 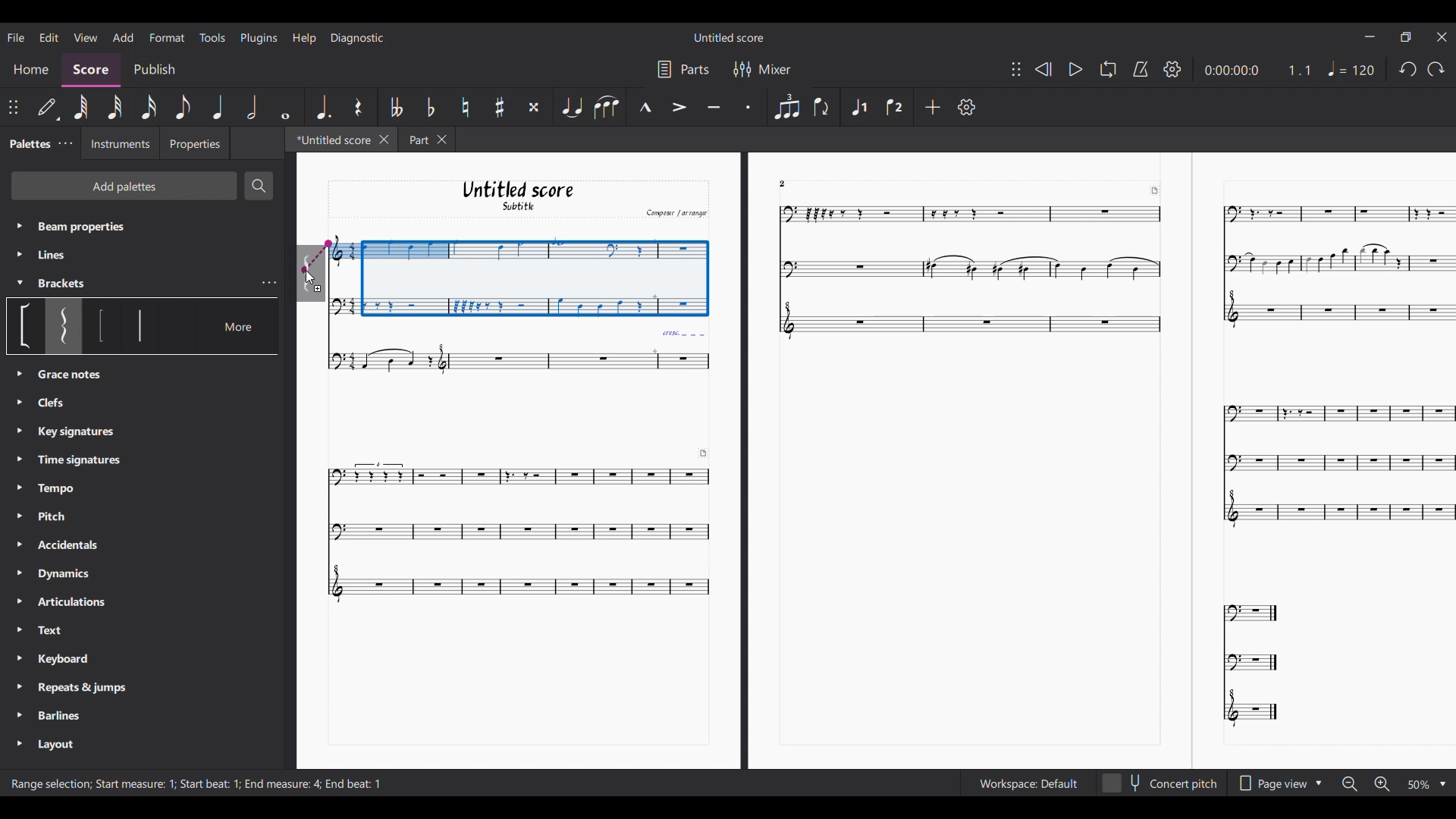 I want to click on 8th note, so click(x=183, y=107).